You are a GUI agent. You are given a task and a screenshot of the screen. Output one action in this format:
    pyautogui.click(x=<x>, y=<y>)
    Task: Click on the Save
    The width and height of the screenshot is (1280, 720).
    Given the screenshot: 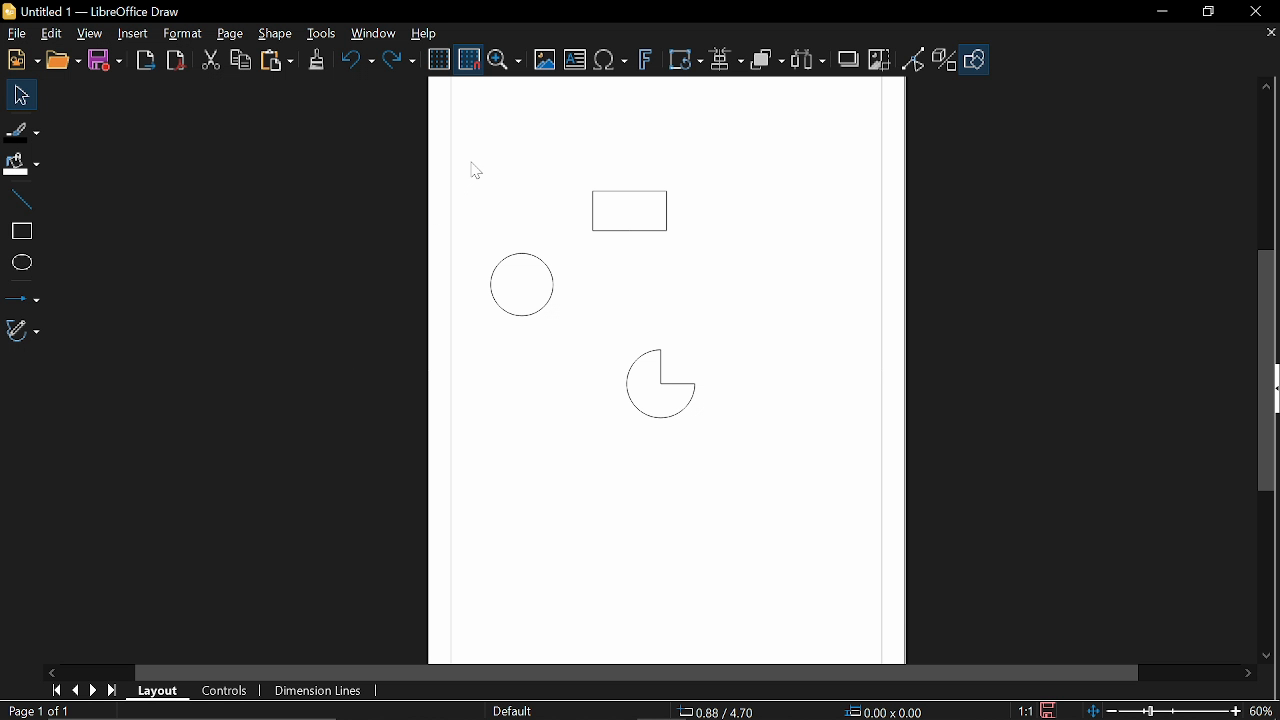 What is the action you would take?
    pyautogui.click(x=1046, y=709)
    